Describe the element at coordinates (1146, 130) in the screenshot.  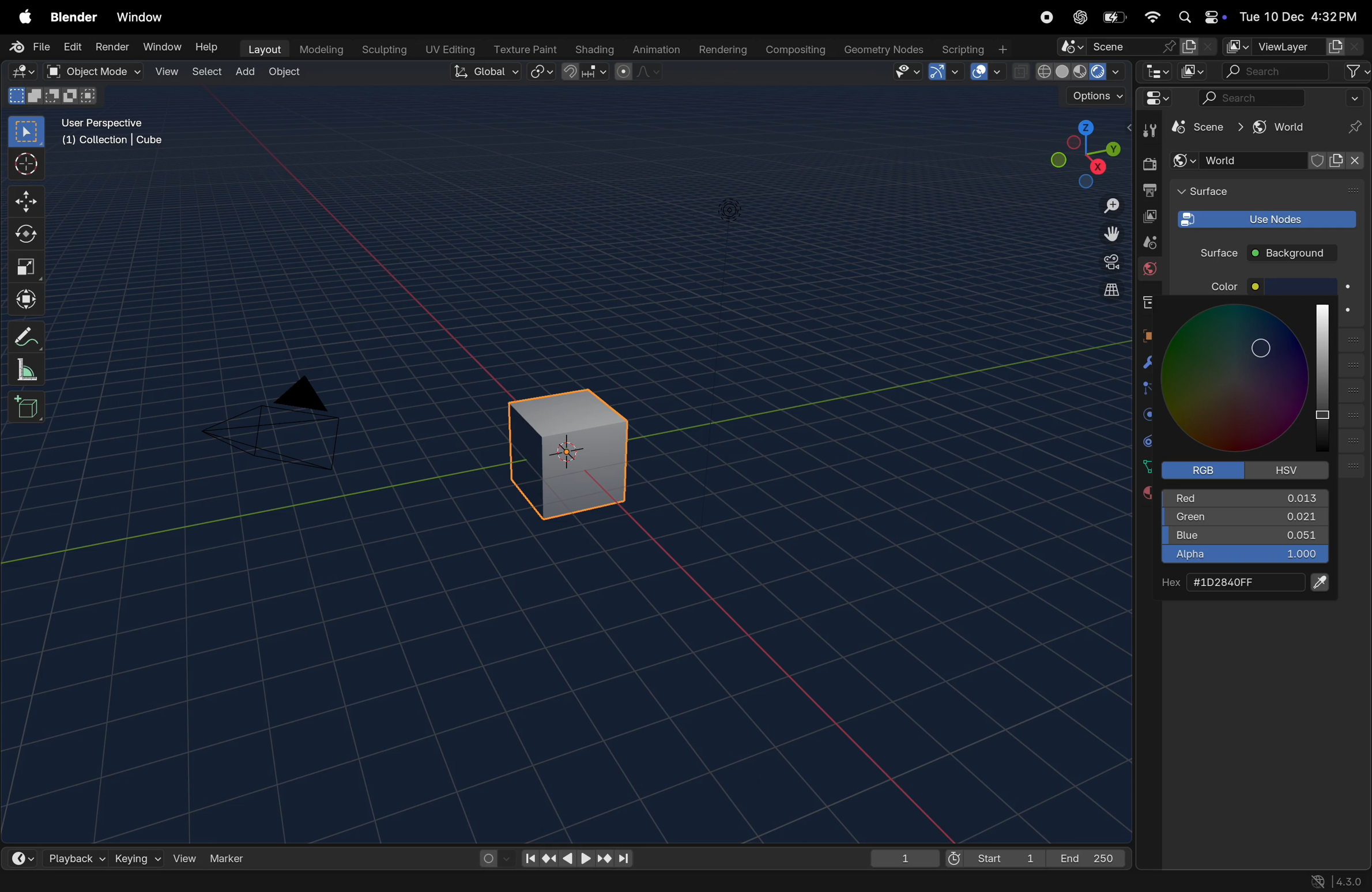
I see `tools` at that location.